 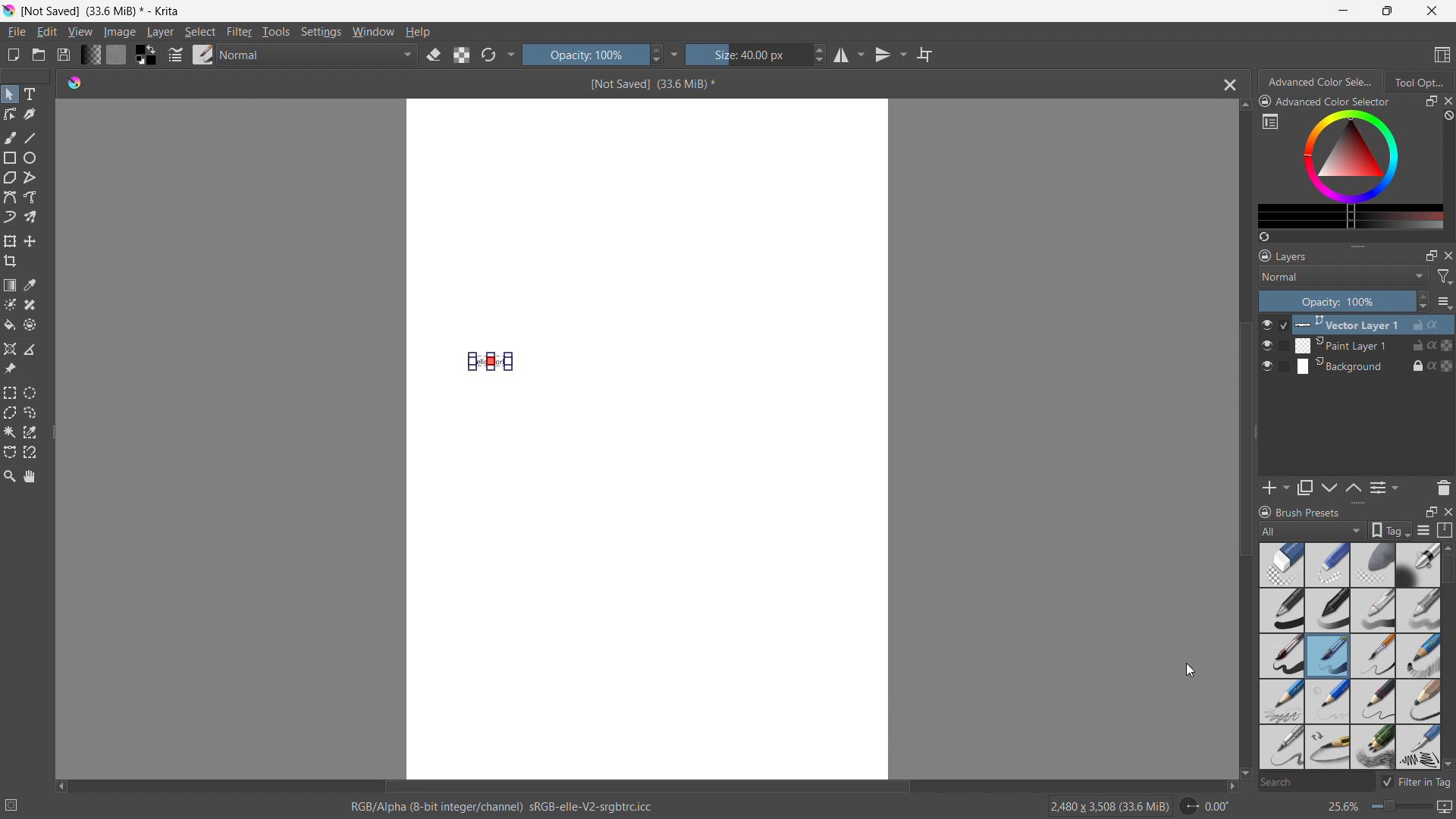 What do you see at coordinates (925, 54) in the screenshot?
I see `wrap around mode` at bounding box center [925, 54].